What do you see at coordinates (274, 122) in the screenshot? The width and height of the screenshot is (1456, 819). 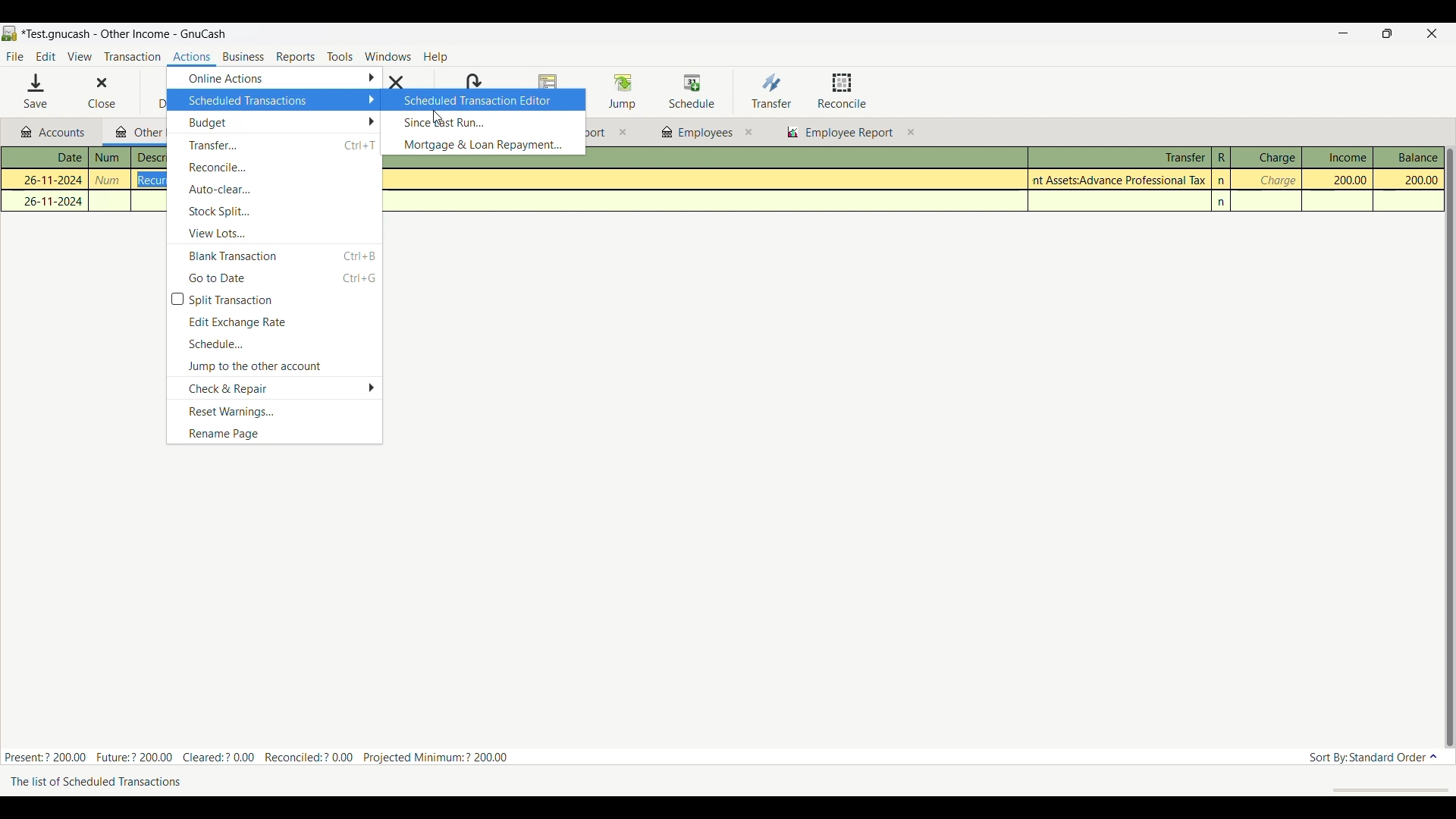 I see `Budget options` at bounding box center [274, 122].